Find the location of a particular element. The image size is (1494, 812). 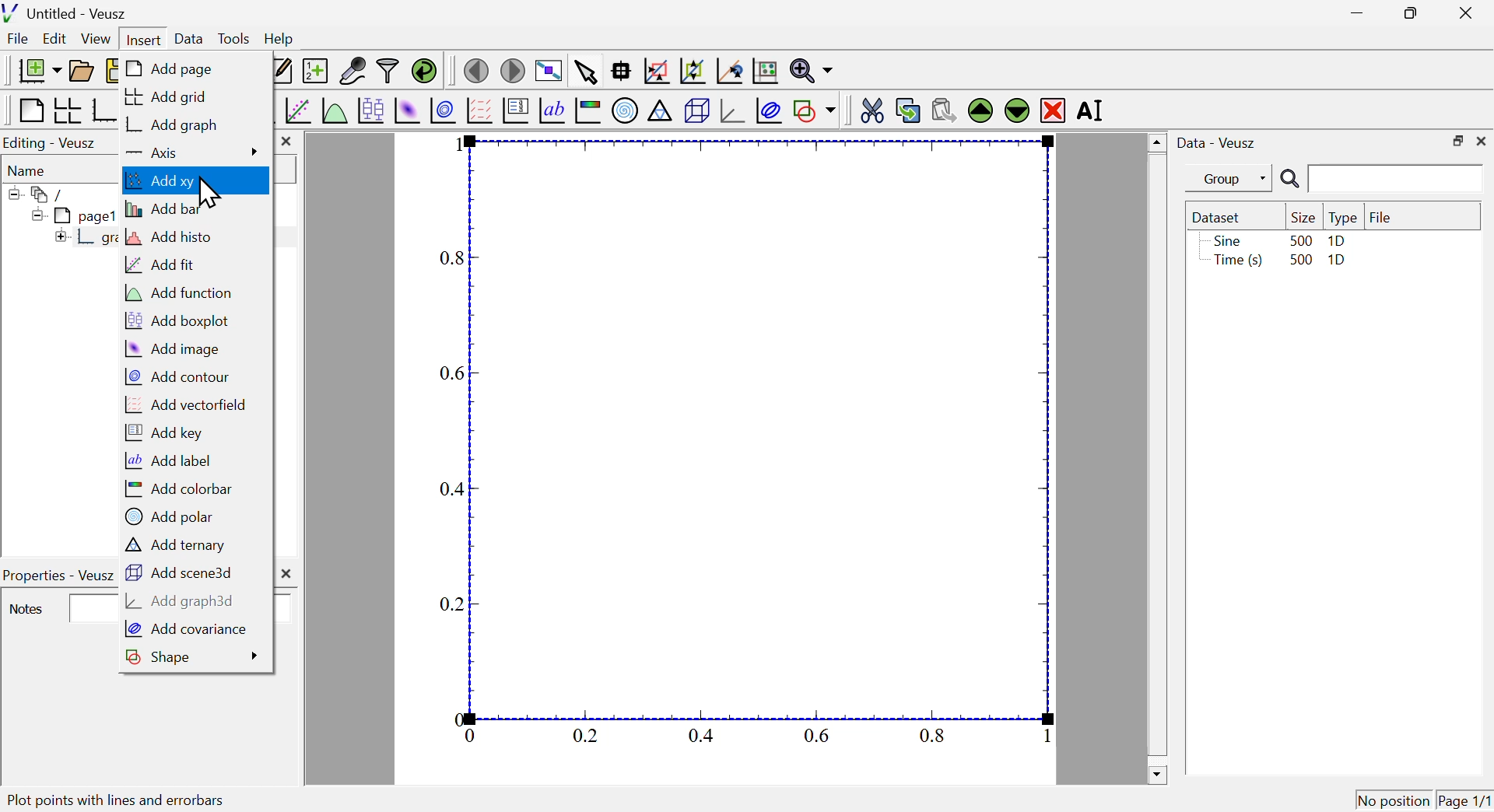

add contour is located at coordinates (174, 376).